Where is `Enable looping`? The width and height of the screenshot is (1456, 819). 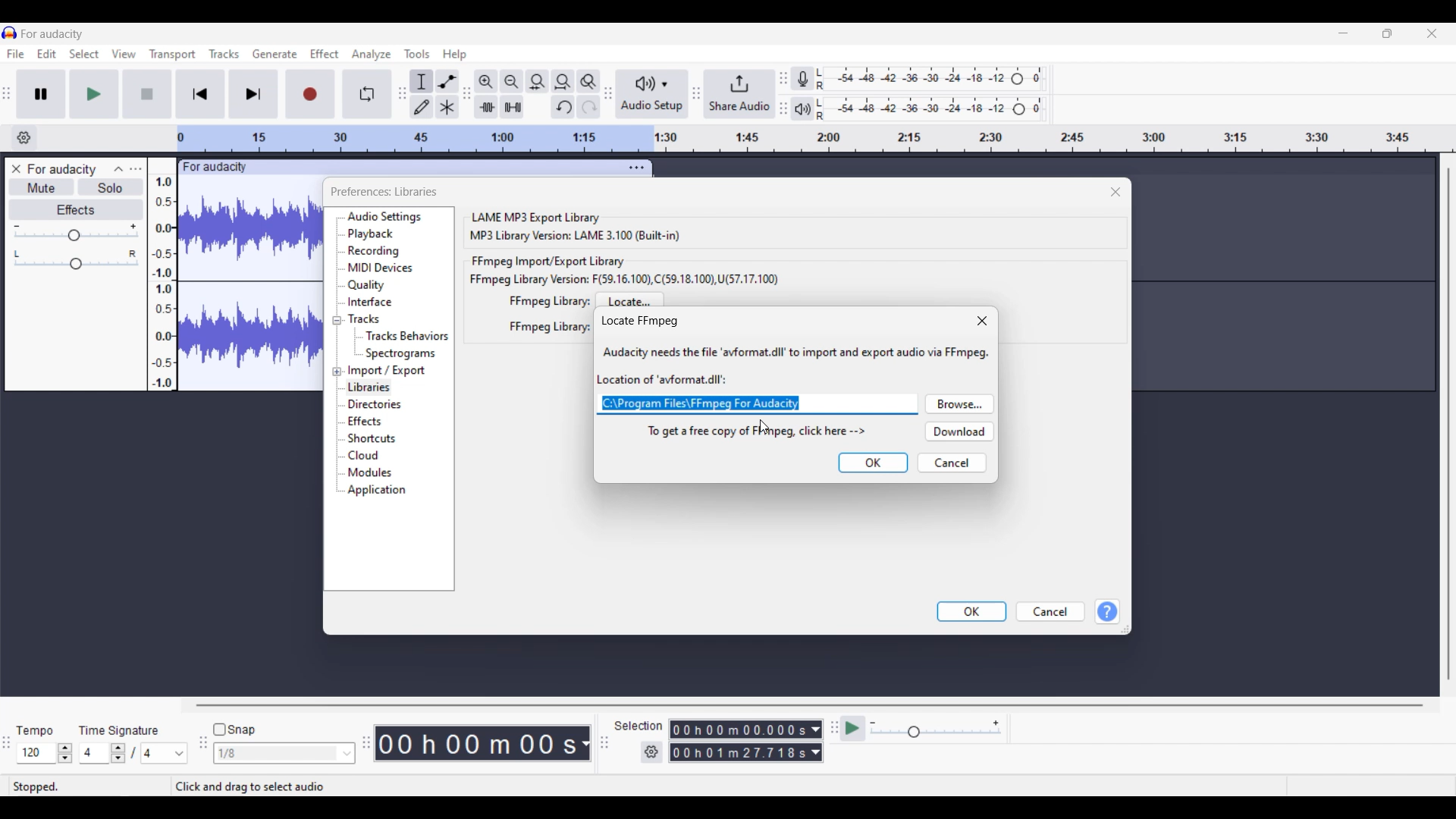
Enable looping is located at coordinates (367, 94).